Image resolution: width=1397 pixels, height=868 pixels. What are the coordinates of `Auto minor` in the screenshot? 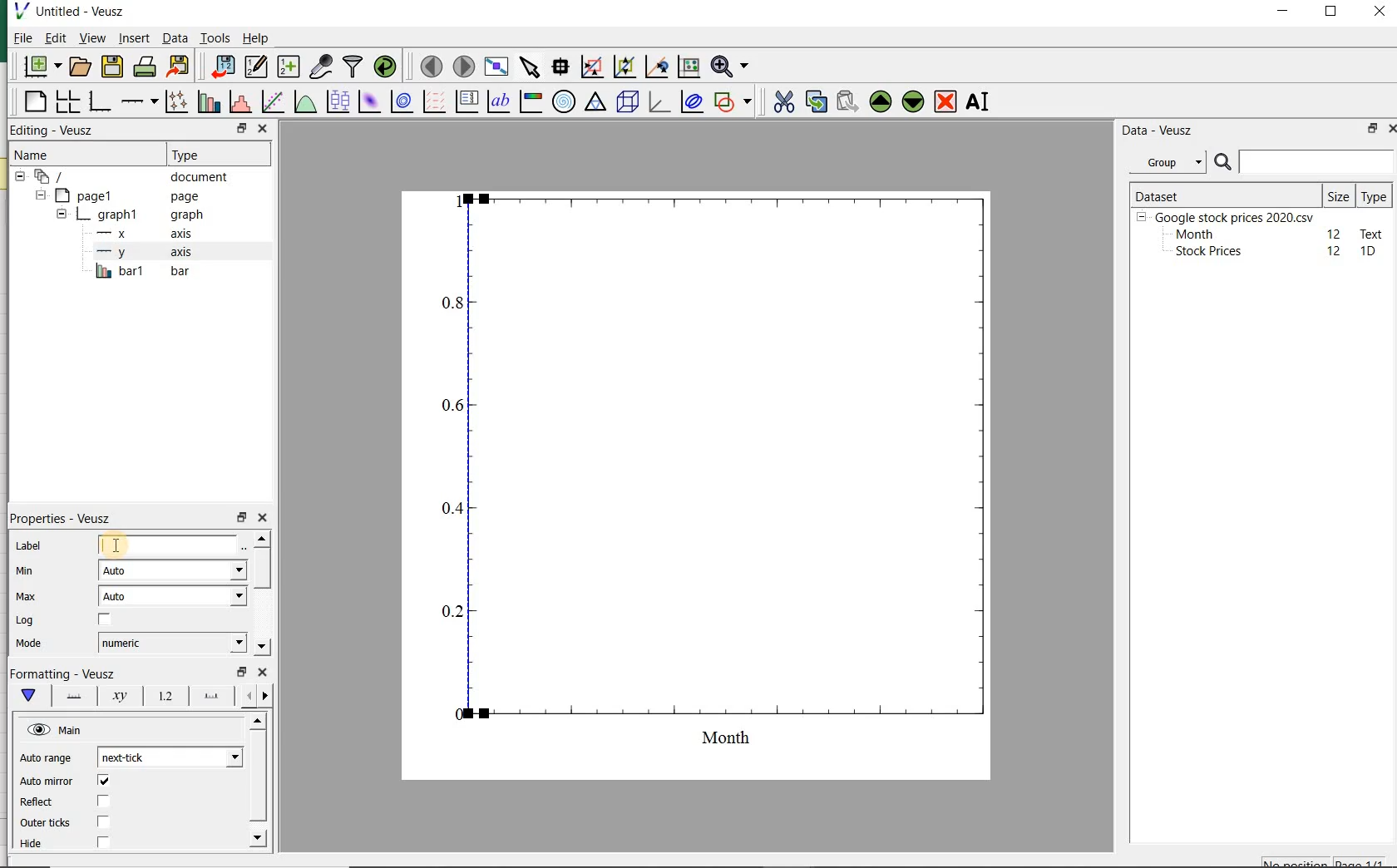 It's located at (47, 782).